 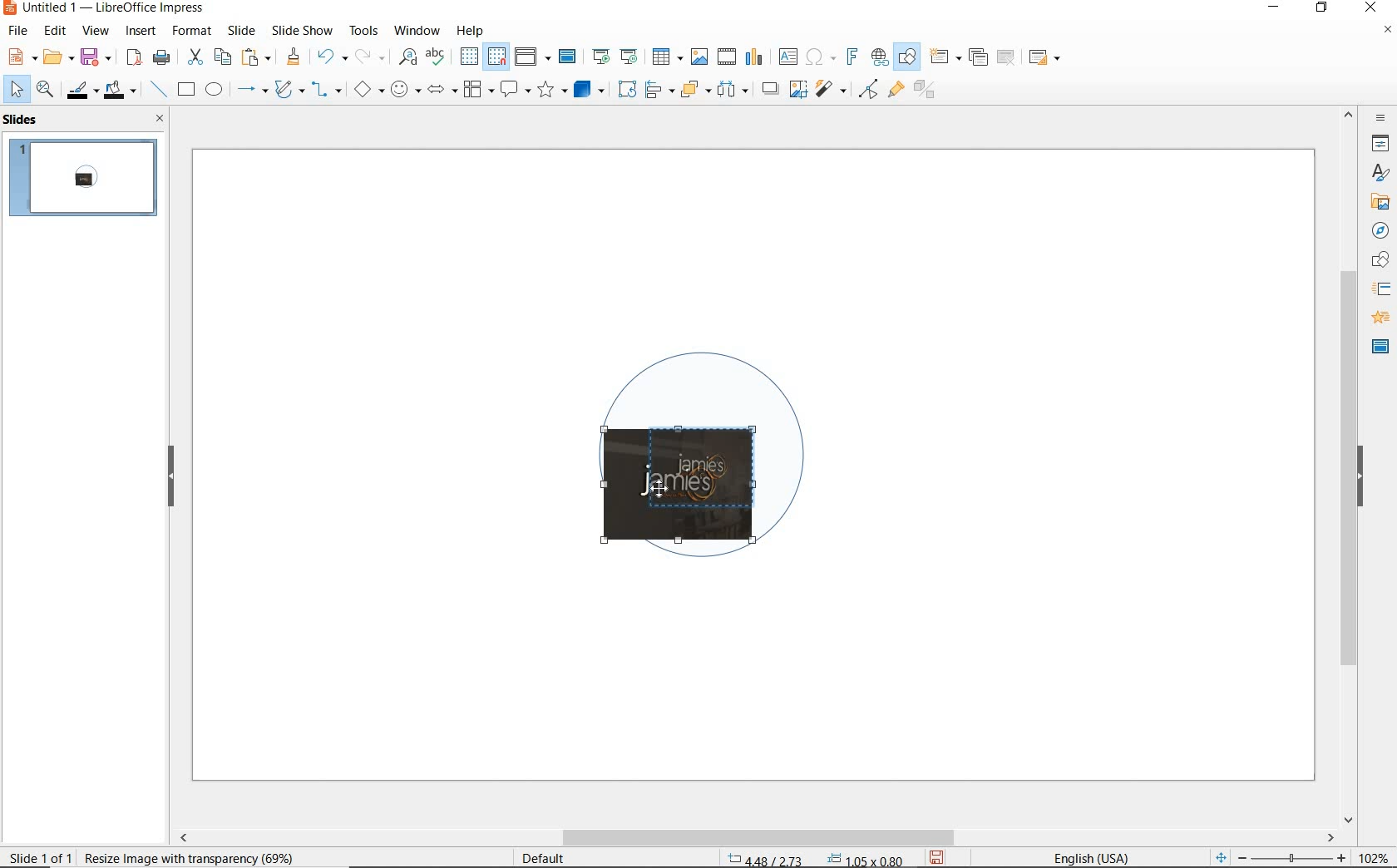 I want to click on scrollbar, so click(x=1349, y=465).